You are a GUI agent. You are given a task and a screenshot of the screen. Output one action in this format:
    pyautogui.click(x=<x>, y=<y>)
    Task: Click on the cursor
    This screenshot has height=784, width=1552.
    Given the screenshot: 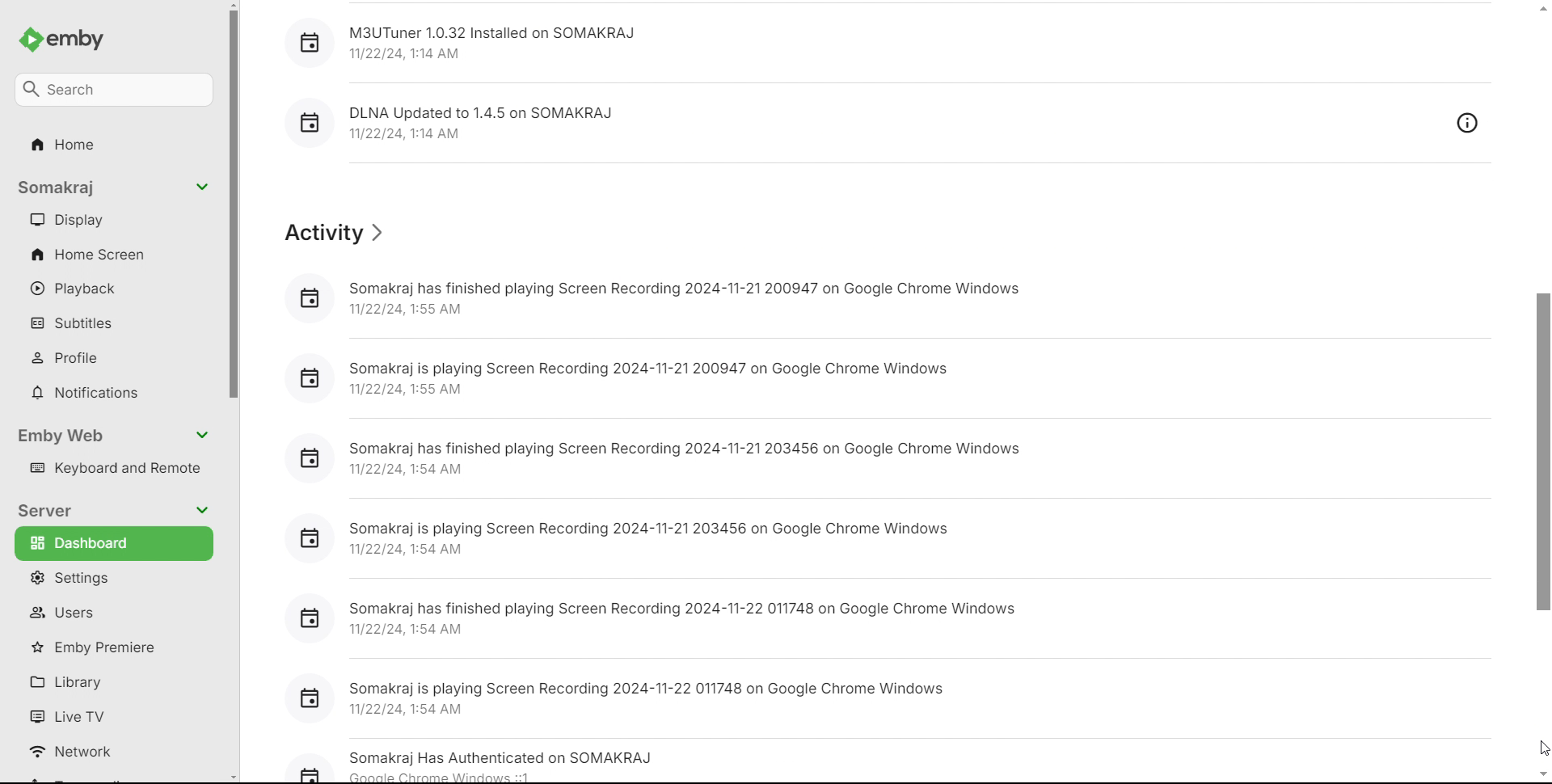 What is the action you would take?
    pyautogui.click(x=1541, y=748)
    